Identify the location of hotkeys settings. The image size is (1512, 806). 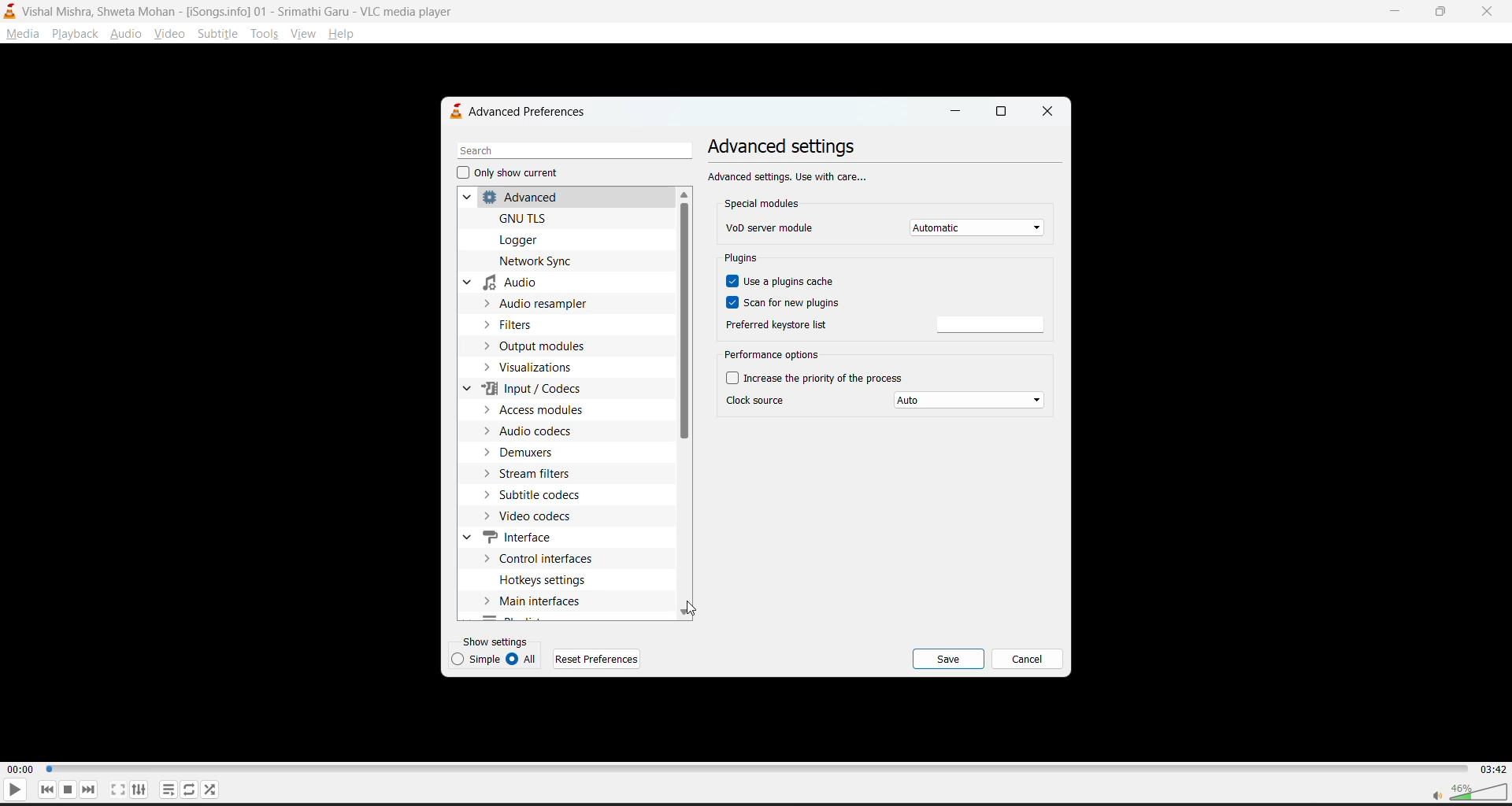
(544, 579).